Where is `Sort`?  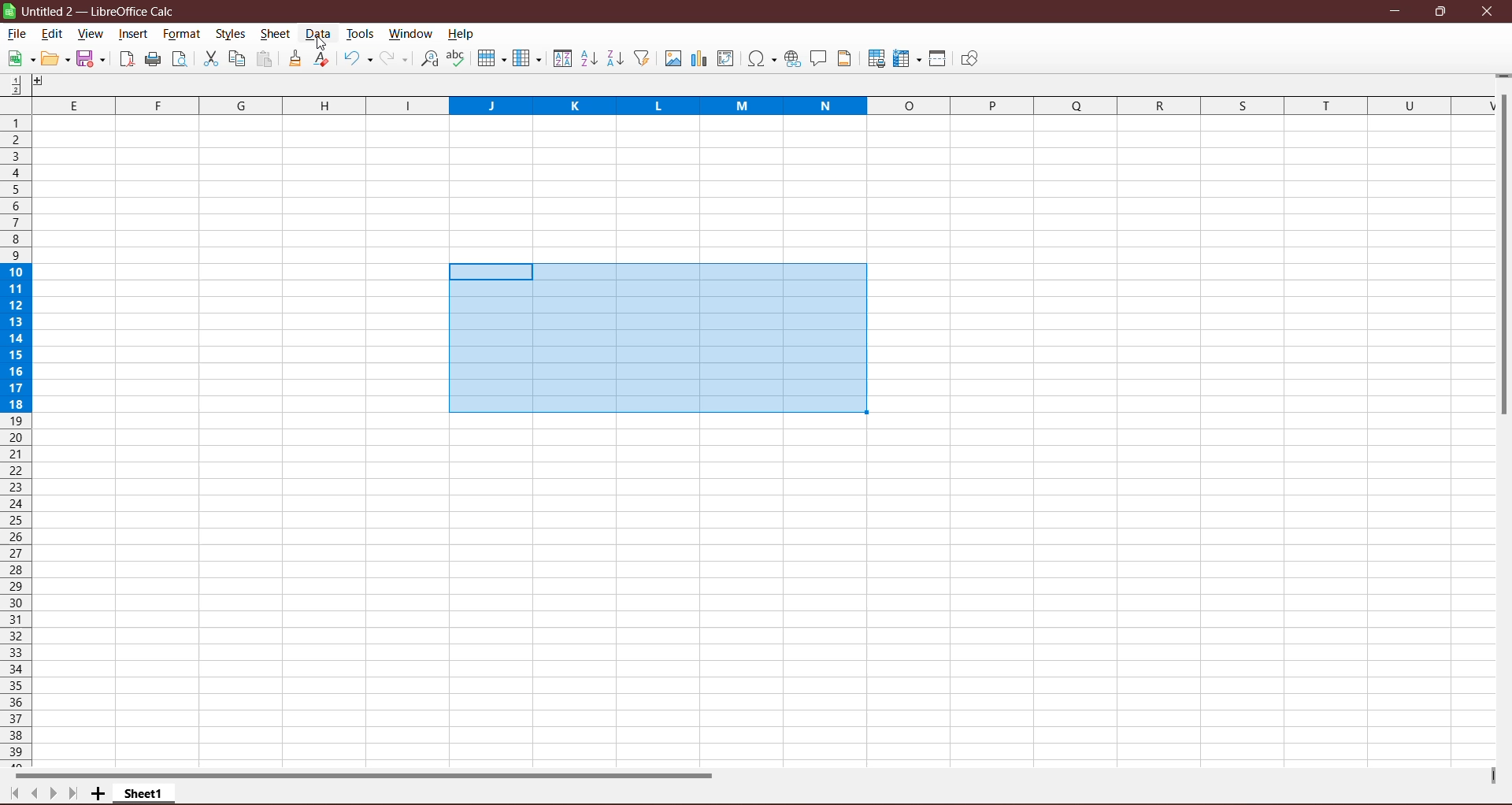
Sort is located at coordinates (561, 58).